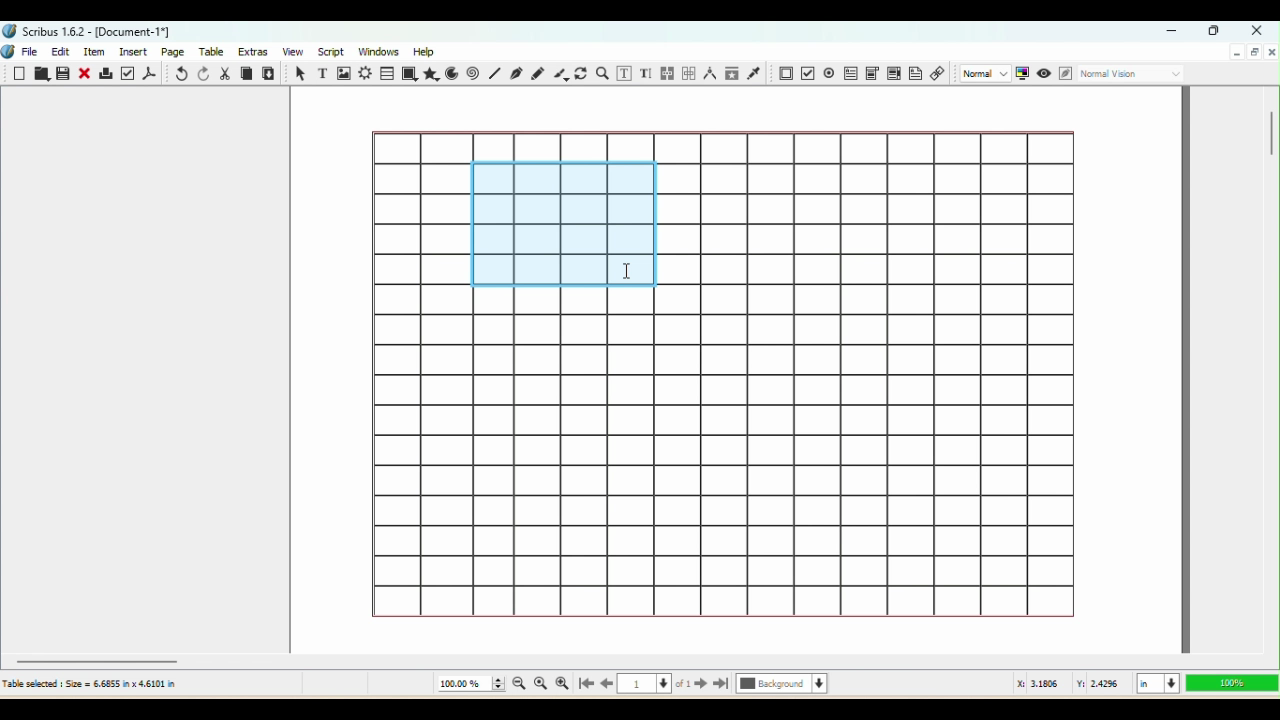 This screenshot has width=1280, height=720. I want to click on Scribus 1.6.2- [Document-1"], so click(90, 31).